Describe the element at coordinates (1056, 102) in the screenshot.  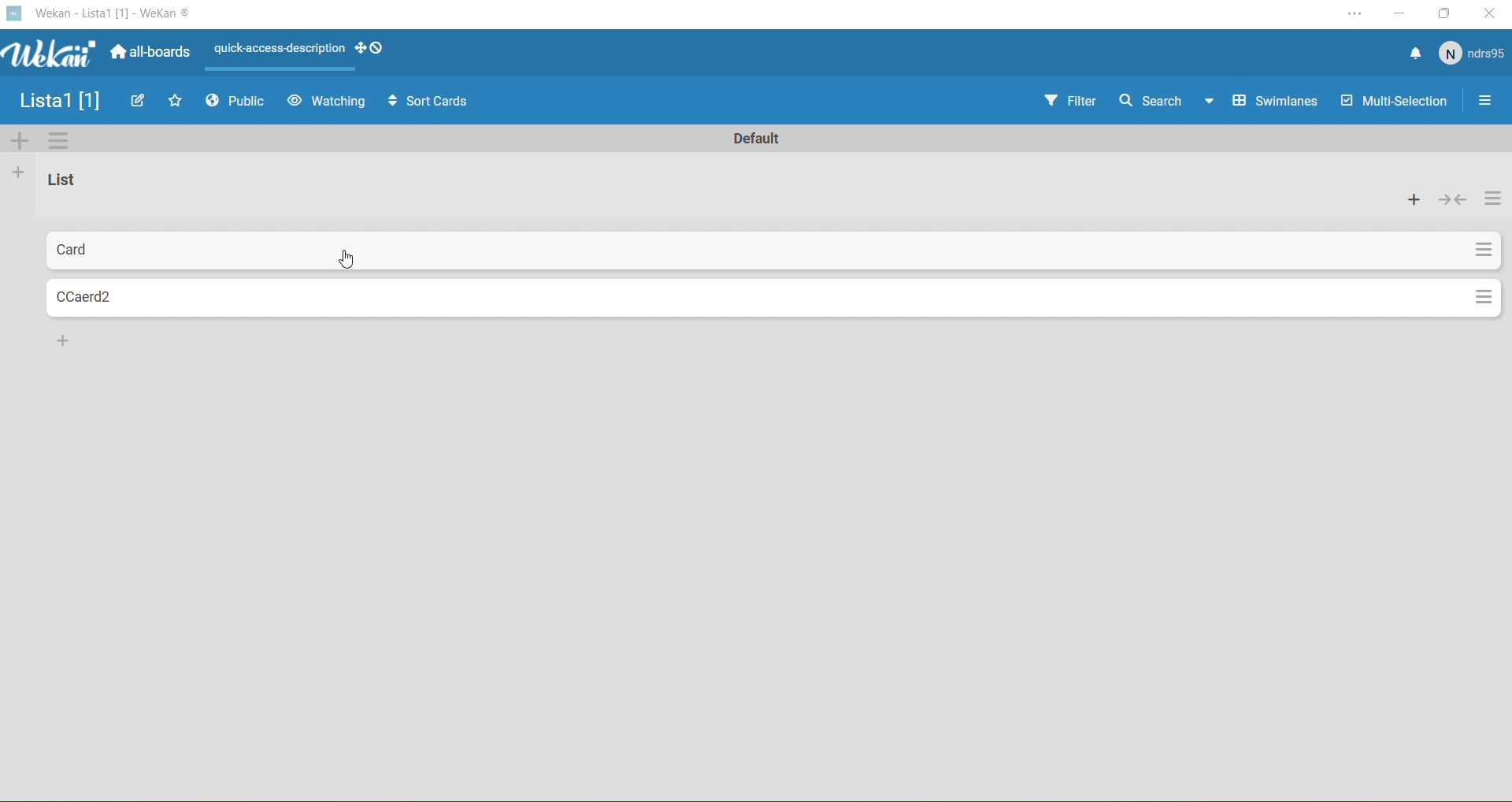
I see `Filter` at that location.